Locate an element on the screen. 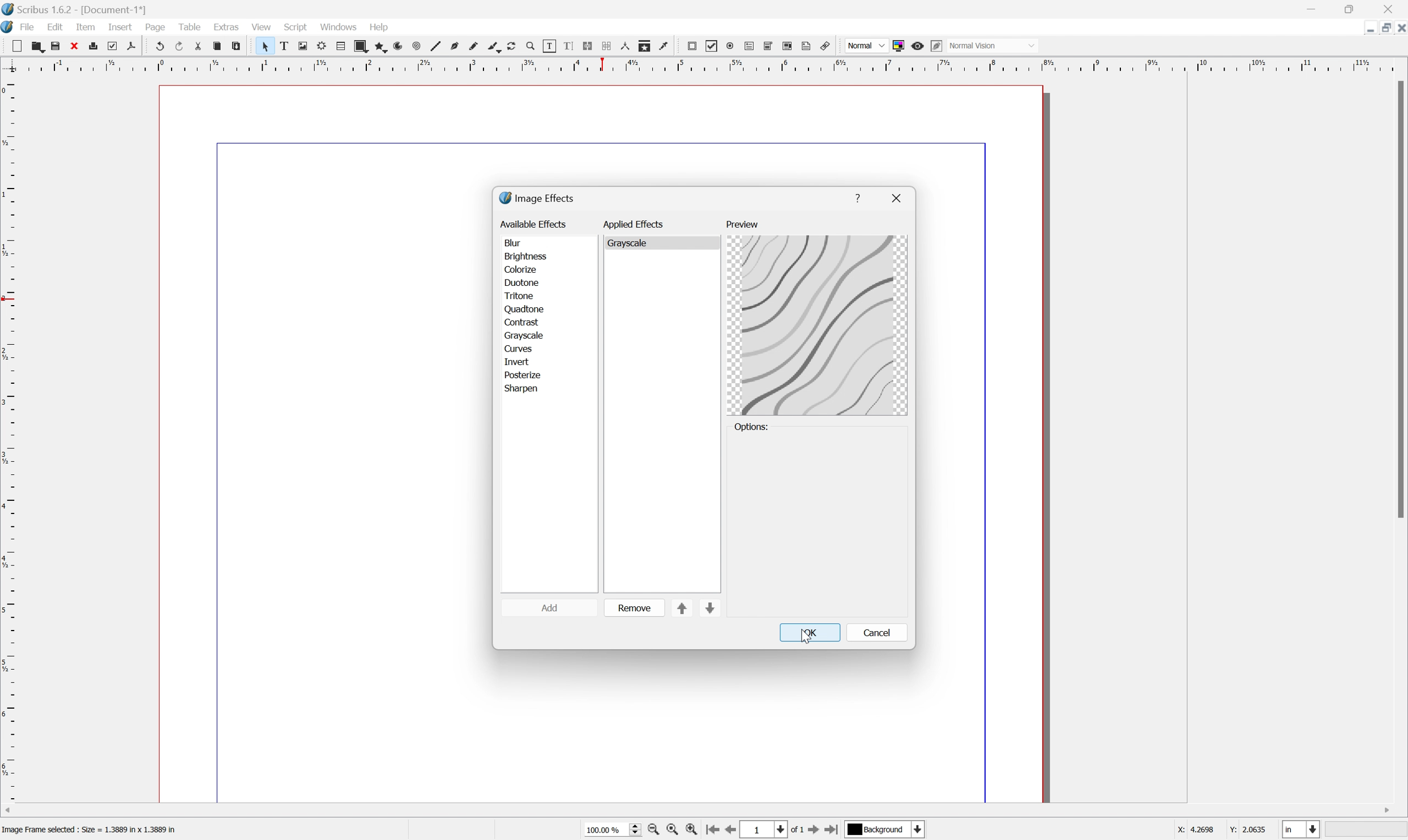 The image size is (1408, 840). Freehand line is located at coordinates (477, 48).